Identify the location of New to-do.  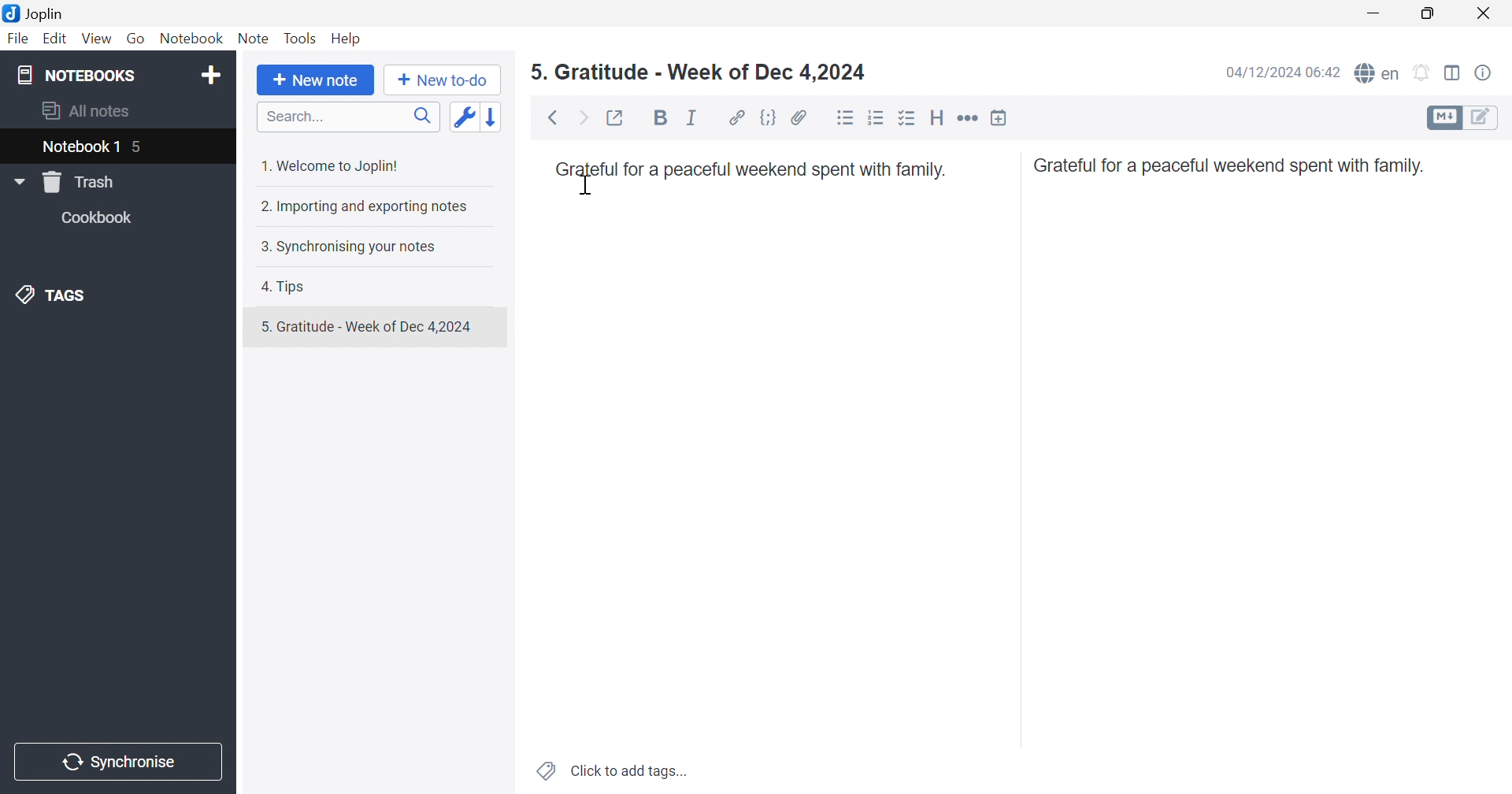
(443, 80).